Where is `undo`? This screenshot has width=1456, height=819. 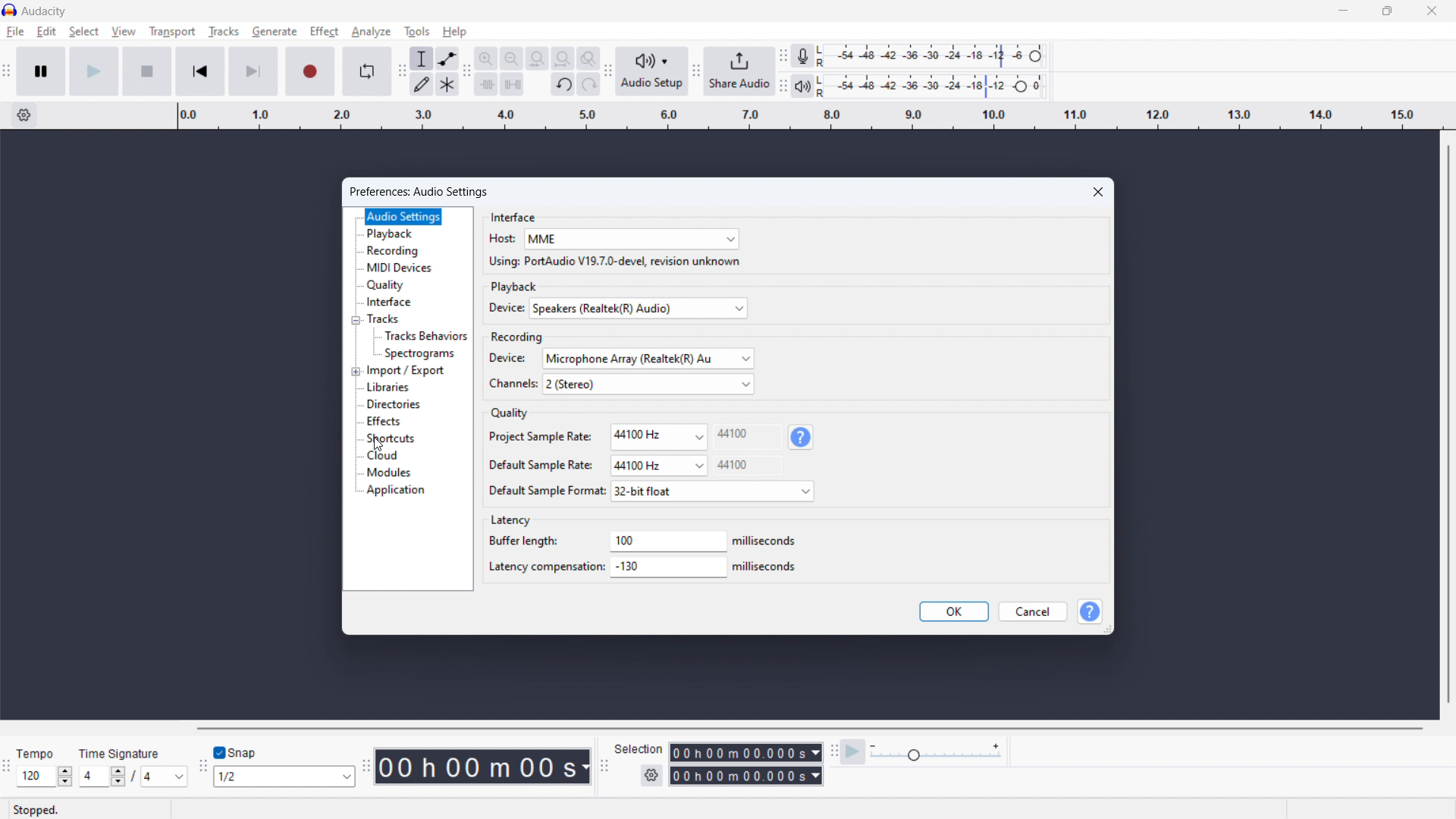 undo is located at coordinates (563, 85).